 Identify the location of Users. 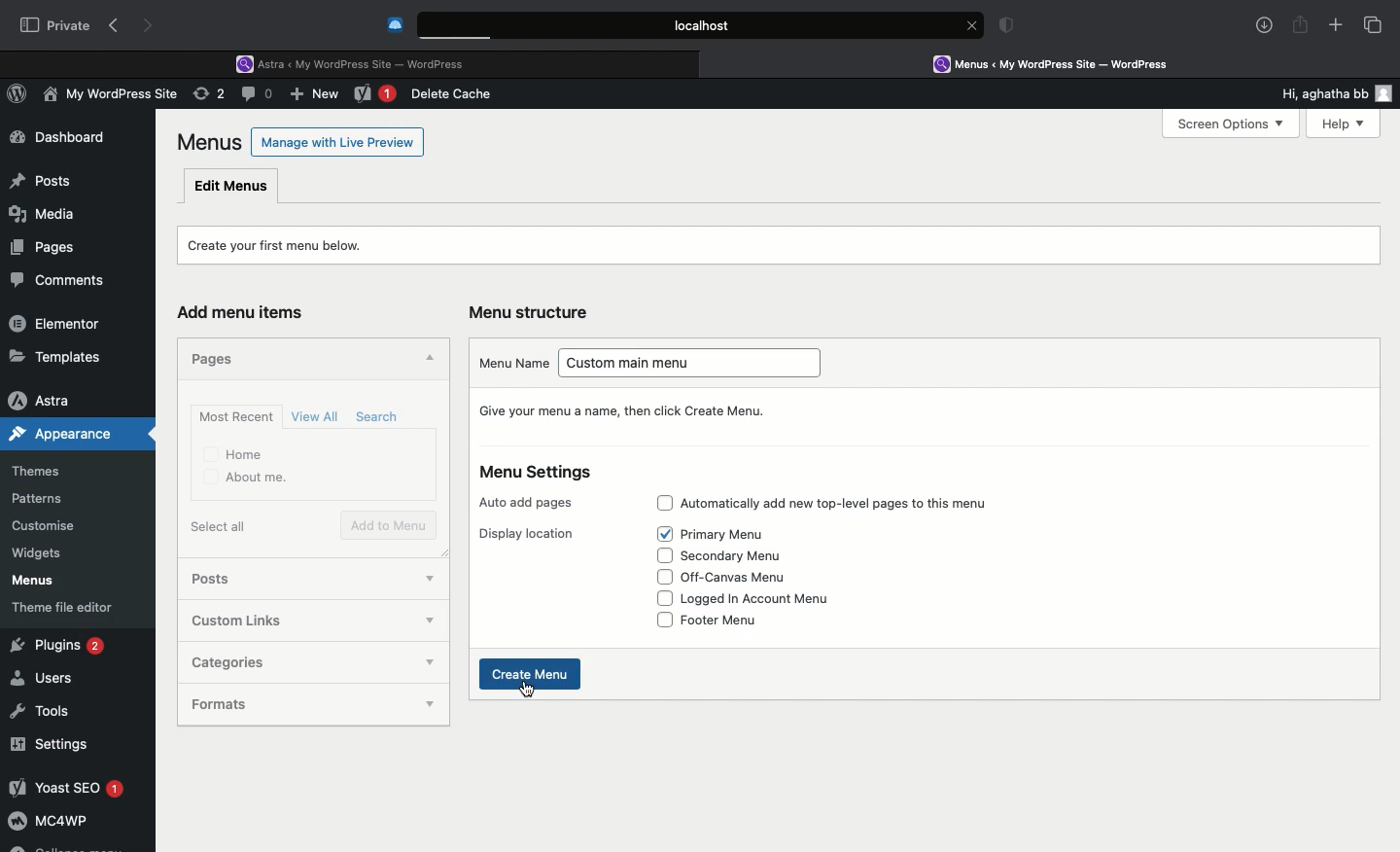
(46, 679).